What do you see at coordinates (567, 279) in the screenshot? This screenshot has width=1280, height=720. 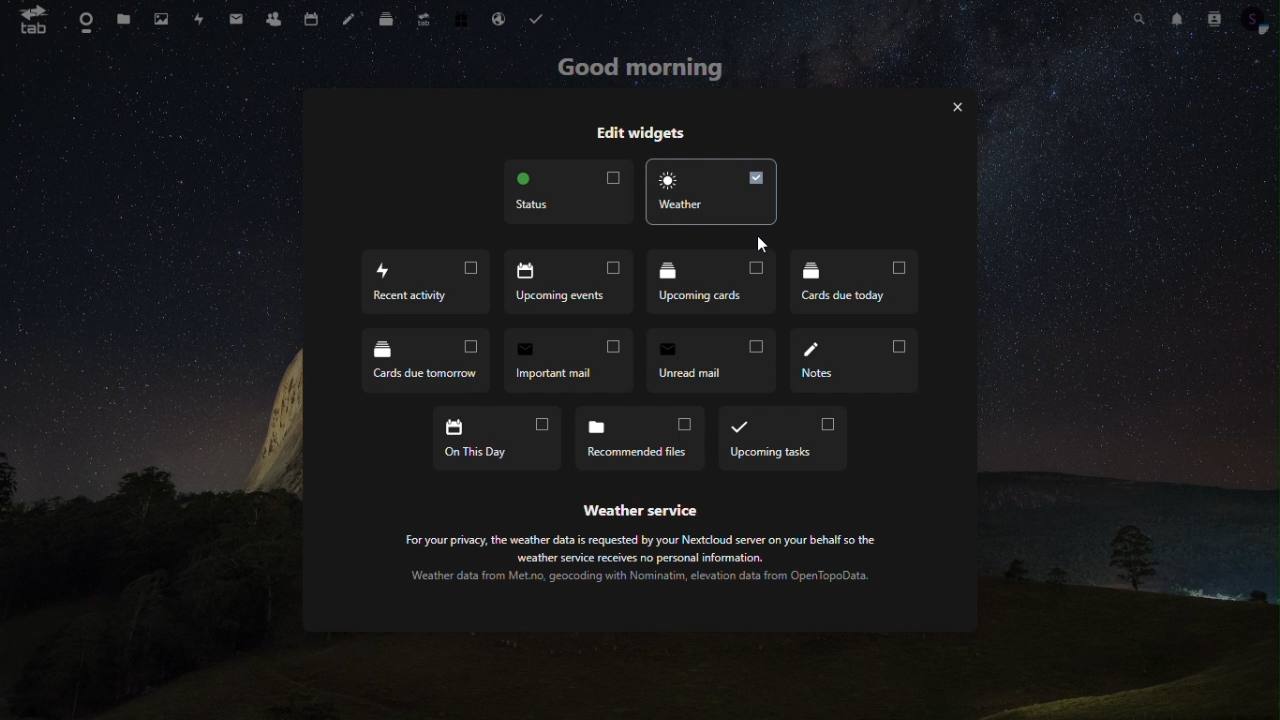 I see `upcoming events` at bounding box center [567, 279].